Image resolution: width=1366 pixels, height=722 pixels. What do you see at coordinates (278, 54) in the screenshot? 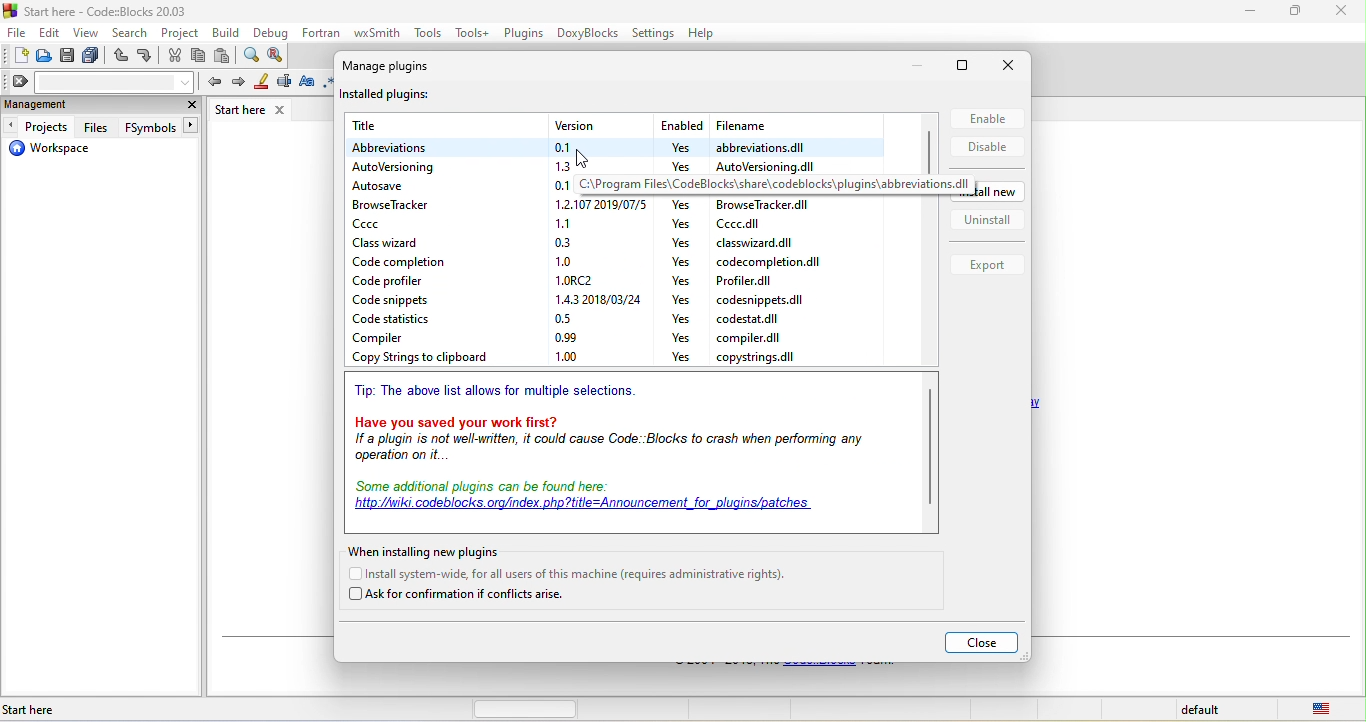
I see `replace` at bounding box center [278, 54].